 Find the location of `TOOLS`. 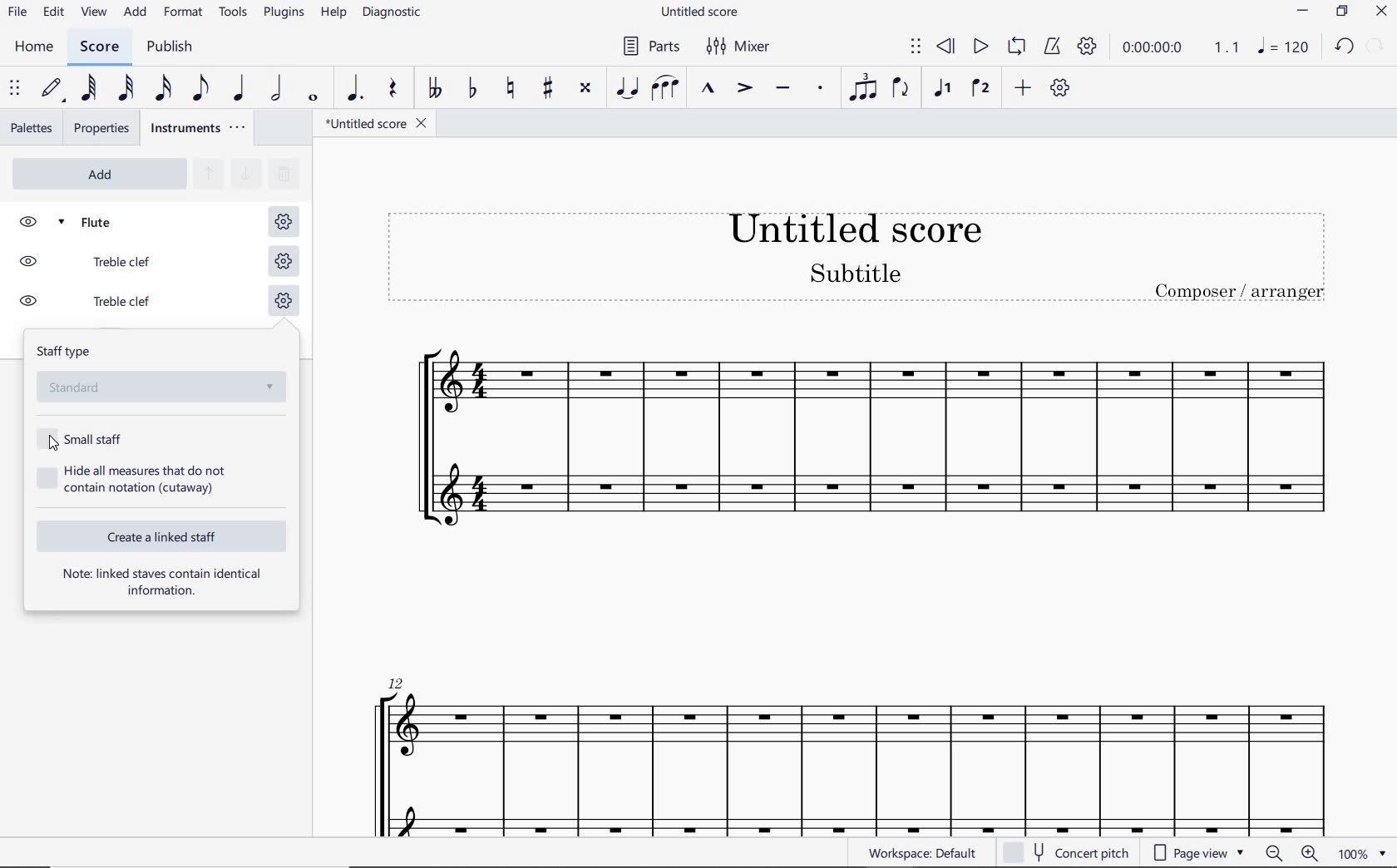

TOOLS is located at coordinates (234, 13).